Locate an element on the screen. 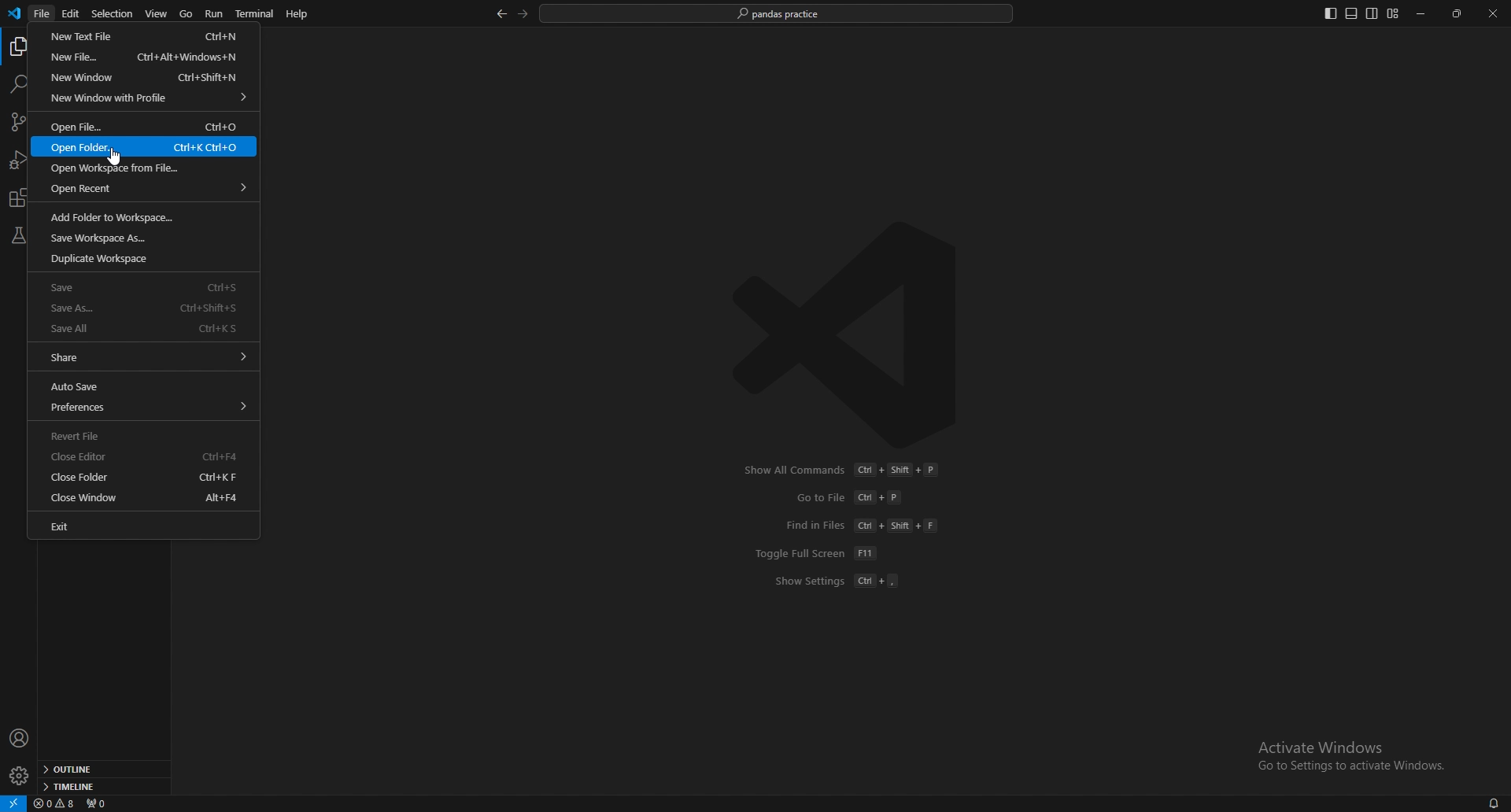  close folder is located at coordinates (144, 478).